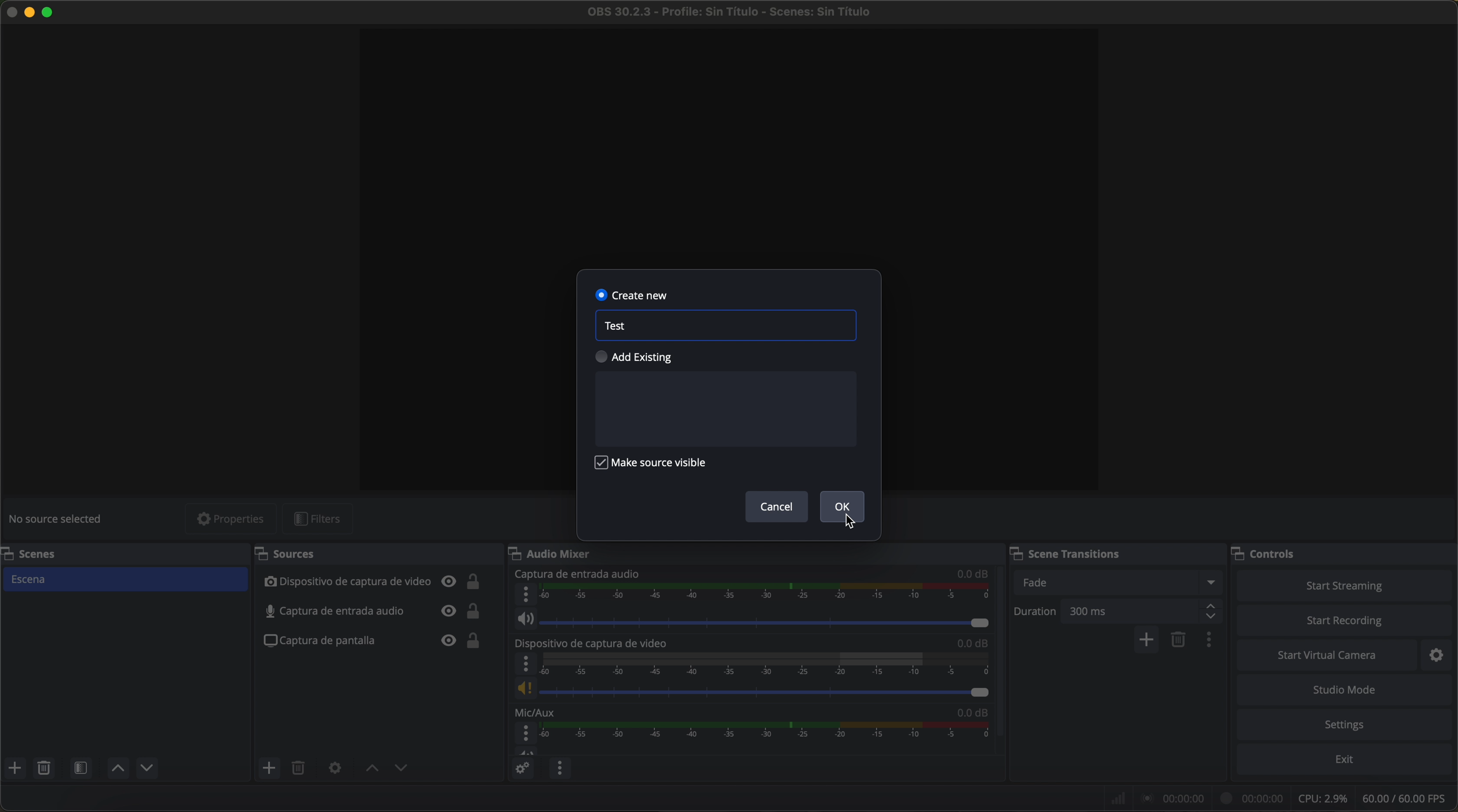 Image resolution: width=1458 pixels, height=812 pixels. I want to click on filters, so click(324, 519).